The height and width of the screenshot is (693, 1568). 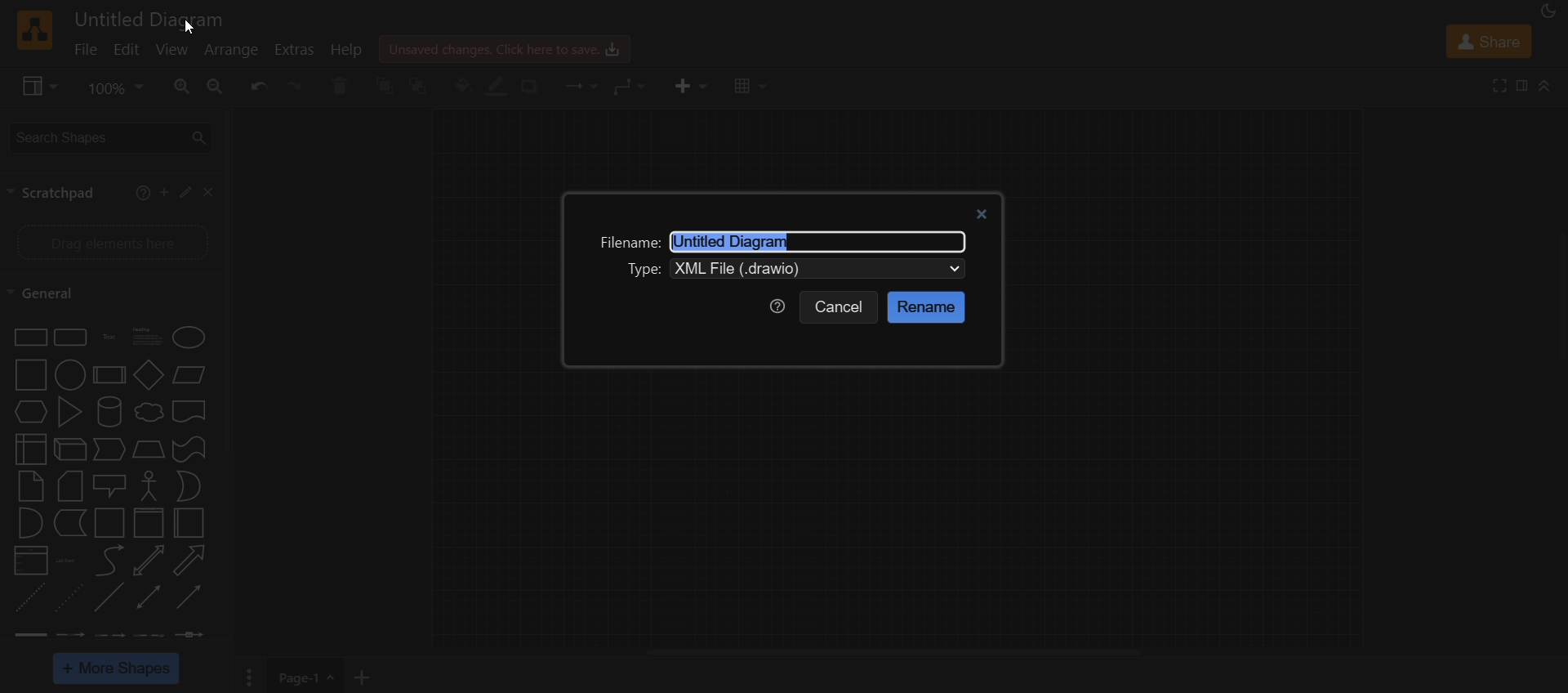 What do you see at coordinates (346, 51) in the screenshot?
I see `help` at bounding box center [346, 51].